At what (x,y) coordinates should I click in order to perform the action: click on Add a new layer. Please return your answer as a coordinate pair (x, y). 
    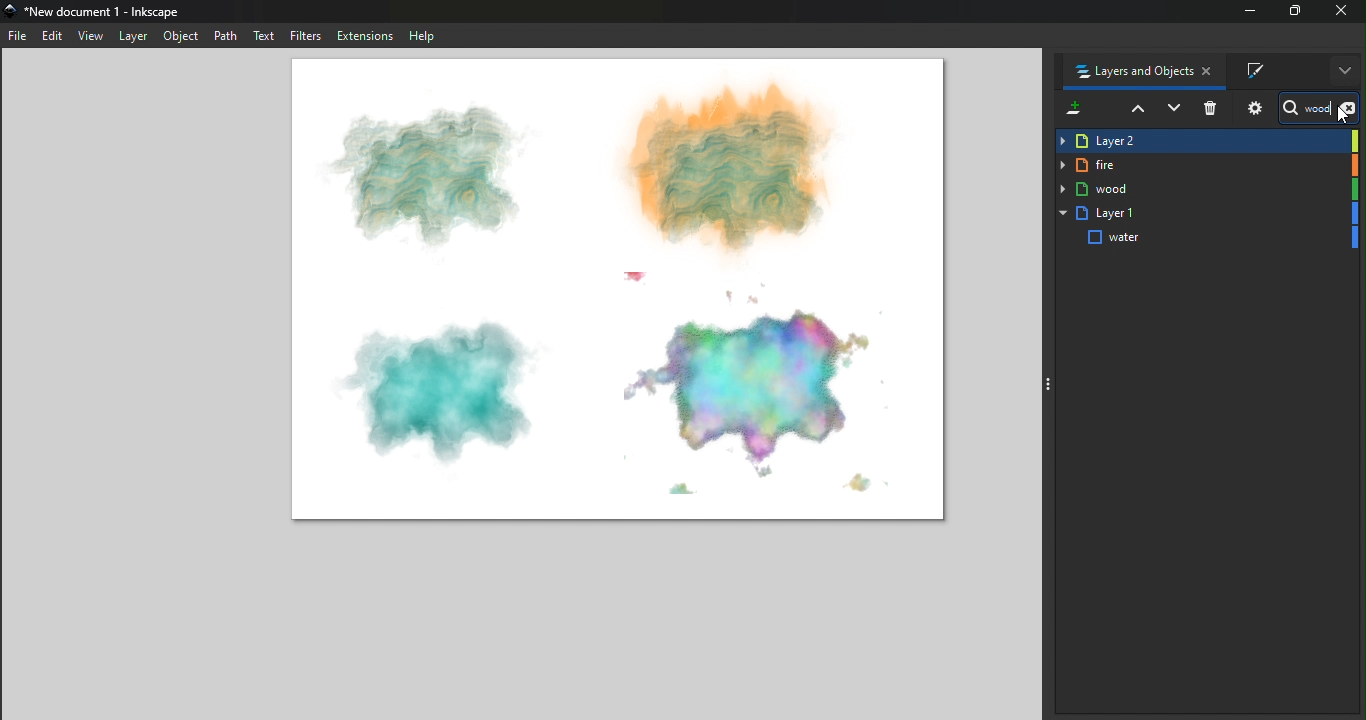
    Looking at the image, I should click on (1072, 111).